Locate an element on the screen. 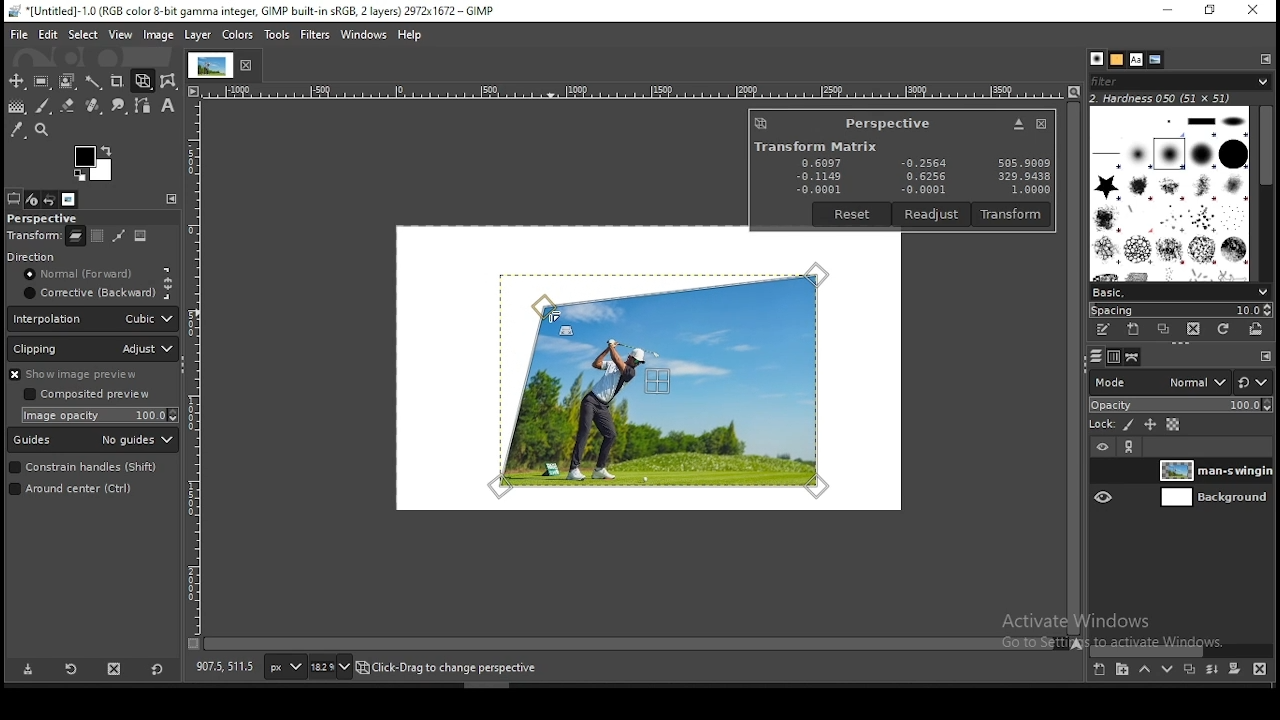  text tool is located at coordinates (168, 107).